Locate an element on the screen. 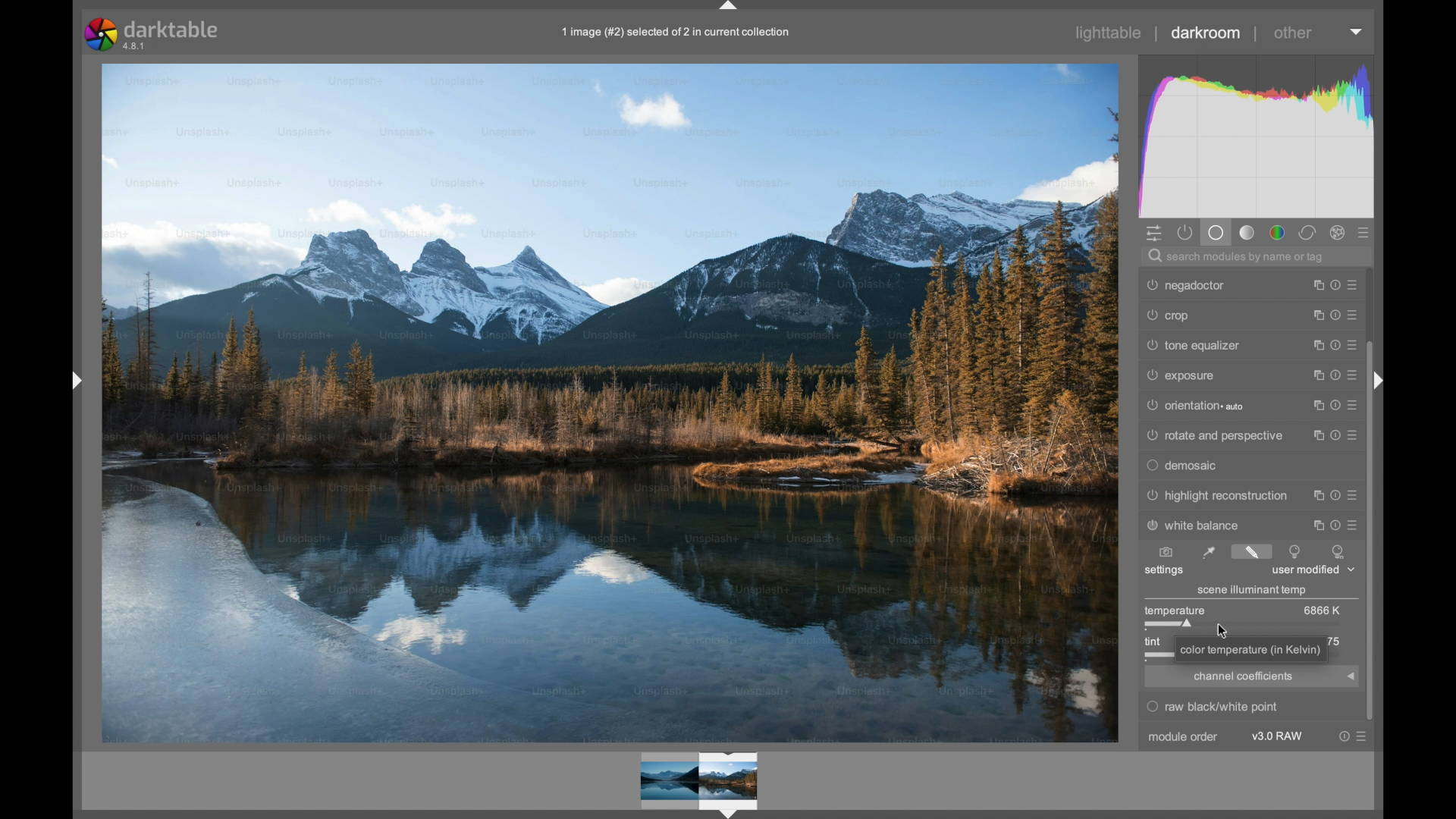 Image resolution: width=1456 pixels, height=819 pixels. instance is located at coordinates (1316, 372).